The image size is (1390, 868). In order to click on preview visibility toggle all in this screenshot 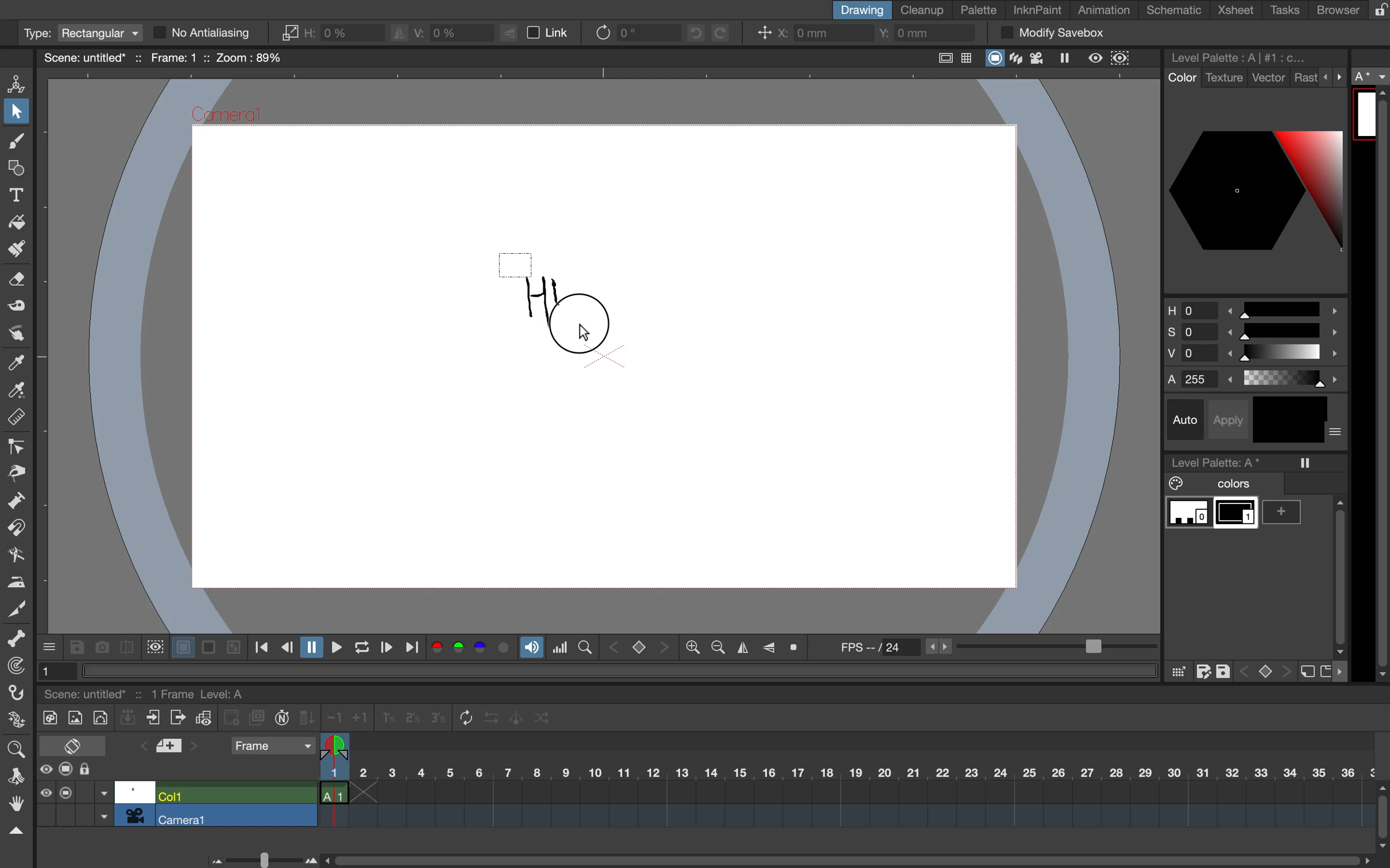, I will do `click(45, 793)`.